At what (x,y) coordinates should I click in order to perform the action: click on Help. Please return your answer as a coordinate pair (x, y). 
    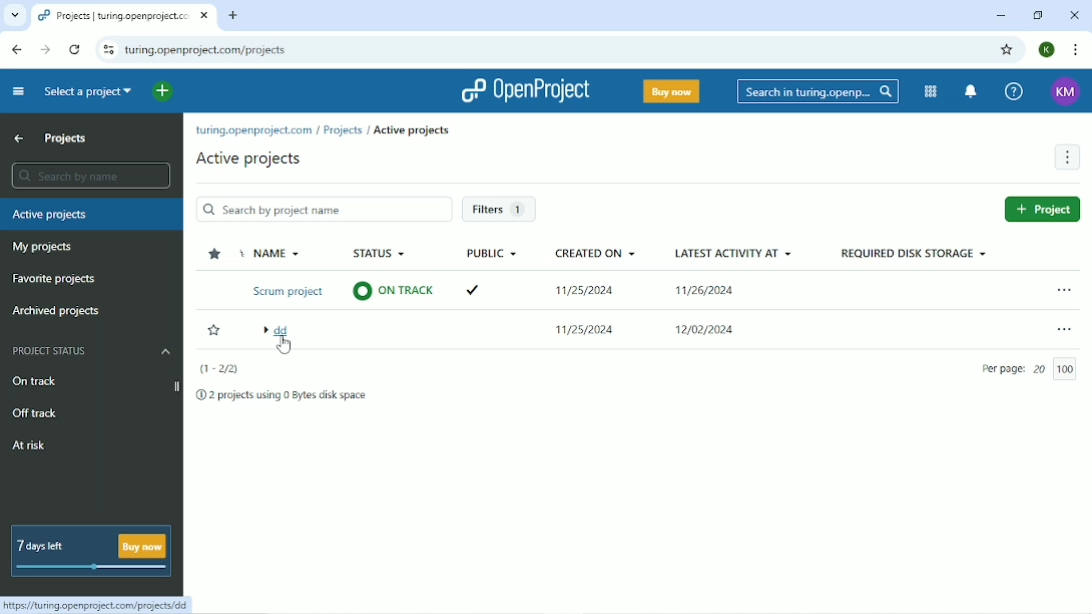
    Looking at the image, I should click on (1013, 92).